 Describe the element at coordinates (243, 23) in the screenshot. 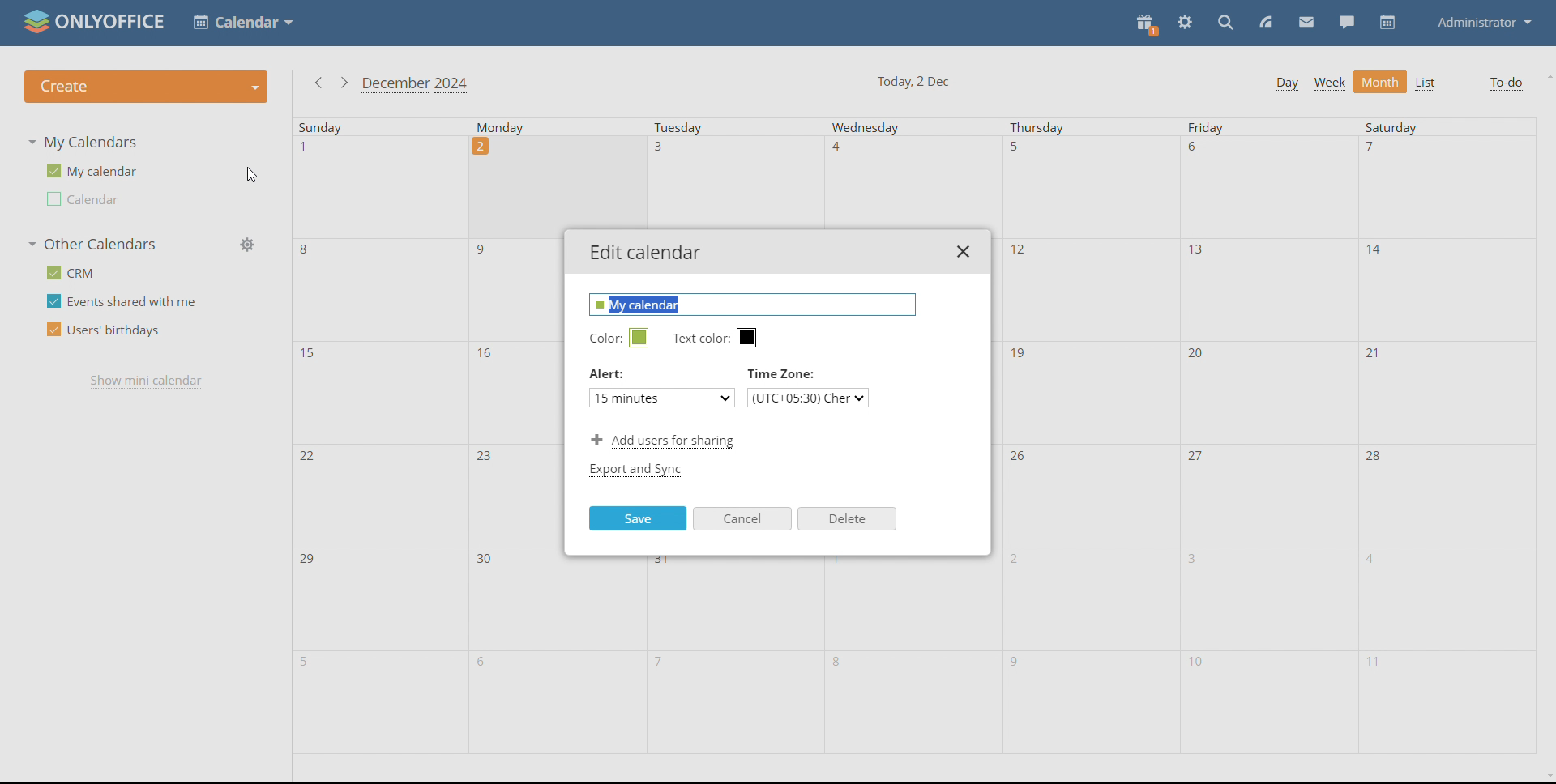

I see `select application` at that location.